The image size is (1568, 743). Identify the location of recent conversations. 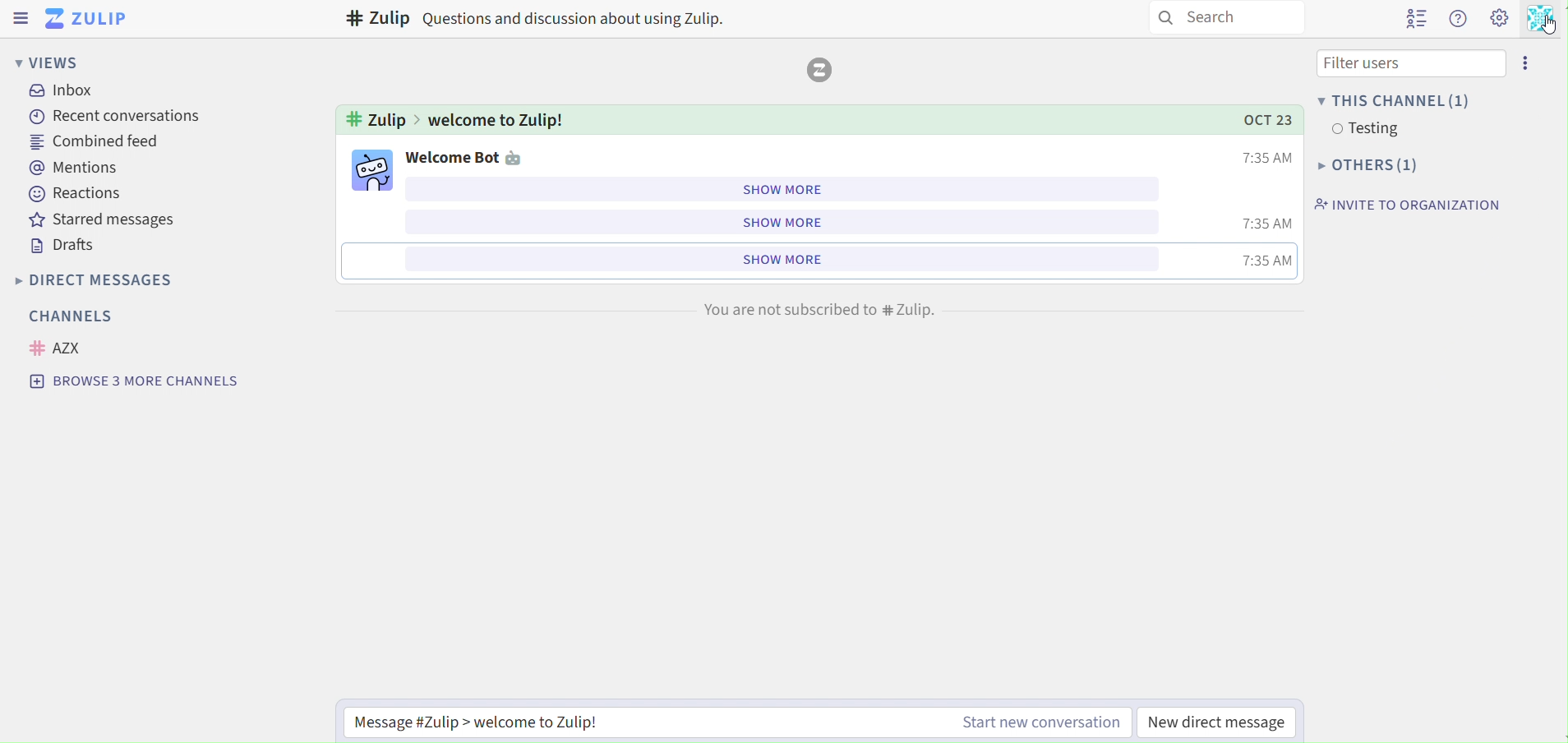
(109, 116).